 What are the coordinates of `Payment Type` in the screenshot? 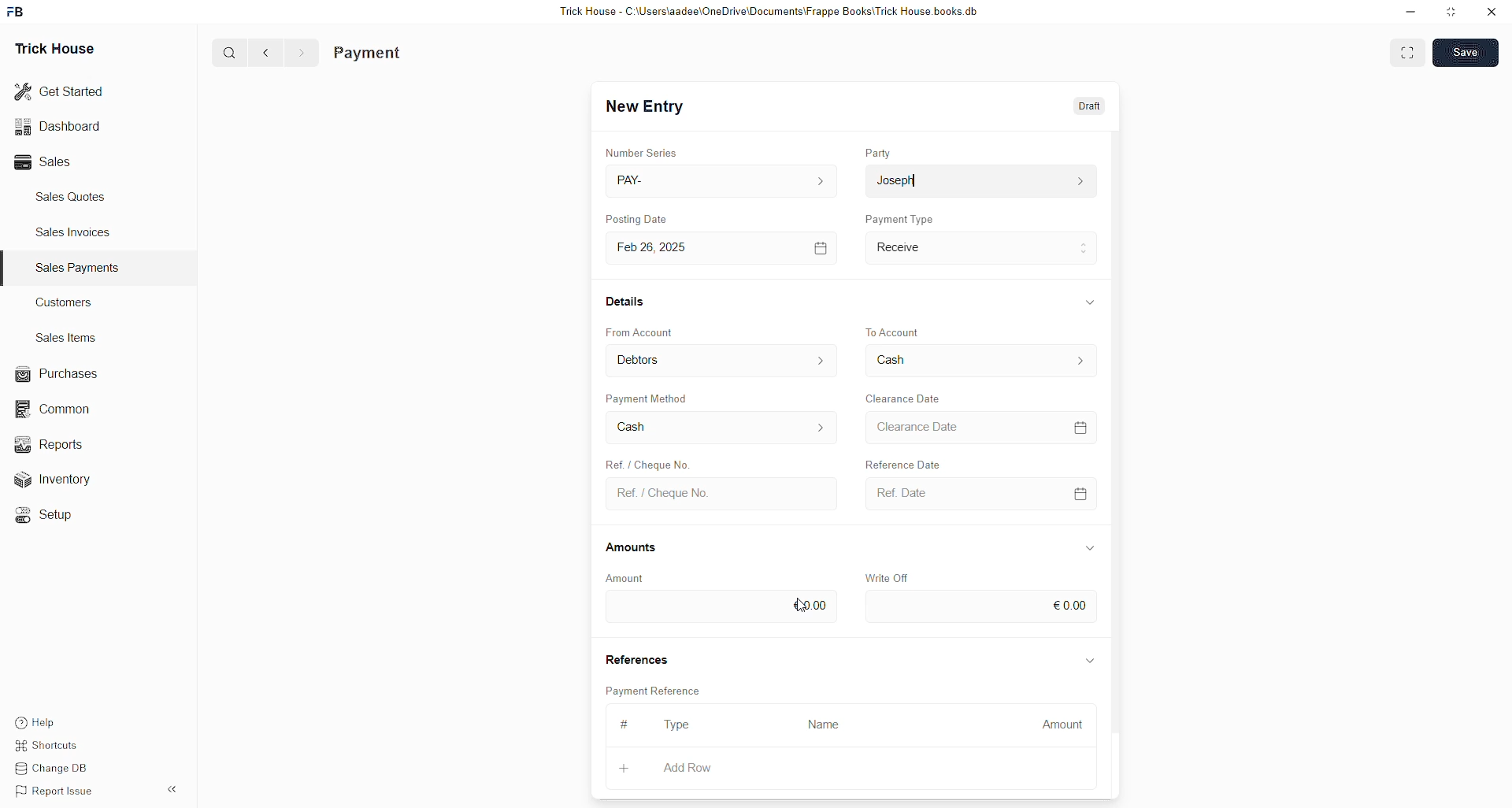 It's located at (982, 249).